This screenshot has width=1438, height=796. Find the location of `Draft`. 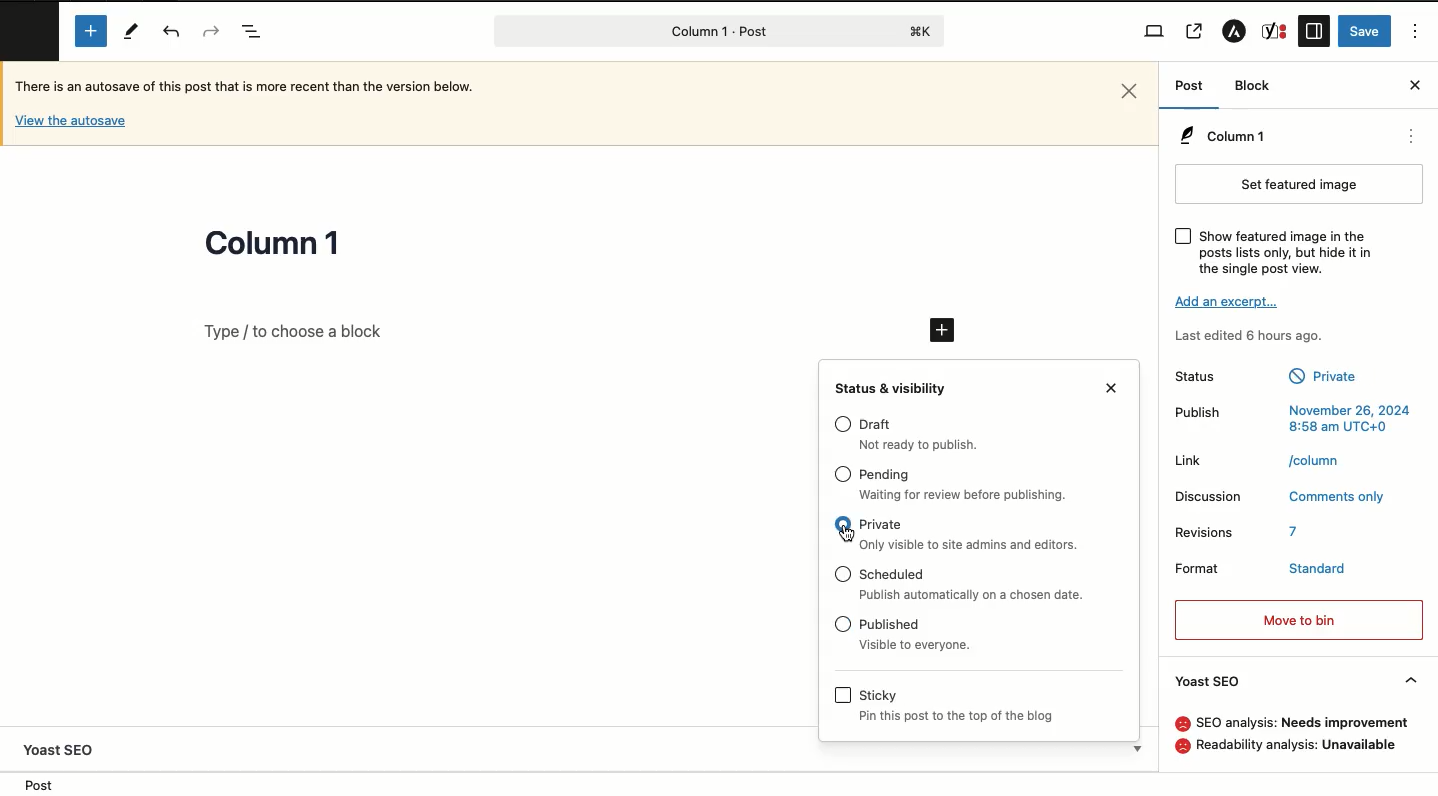

Draft is located at coordinates (877, 424).